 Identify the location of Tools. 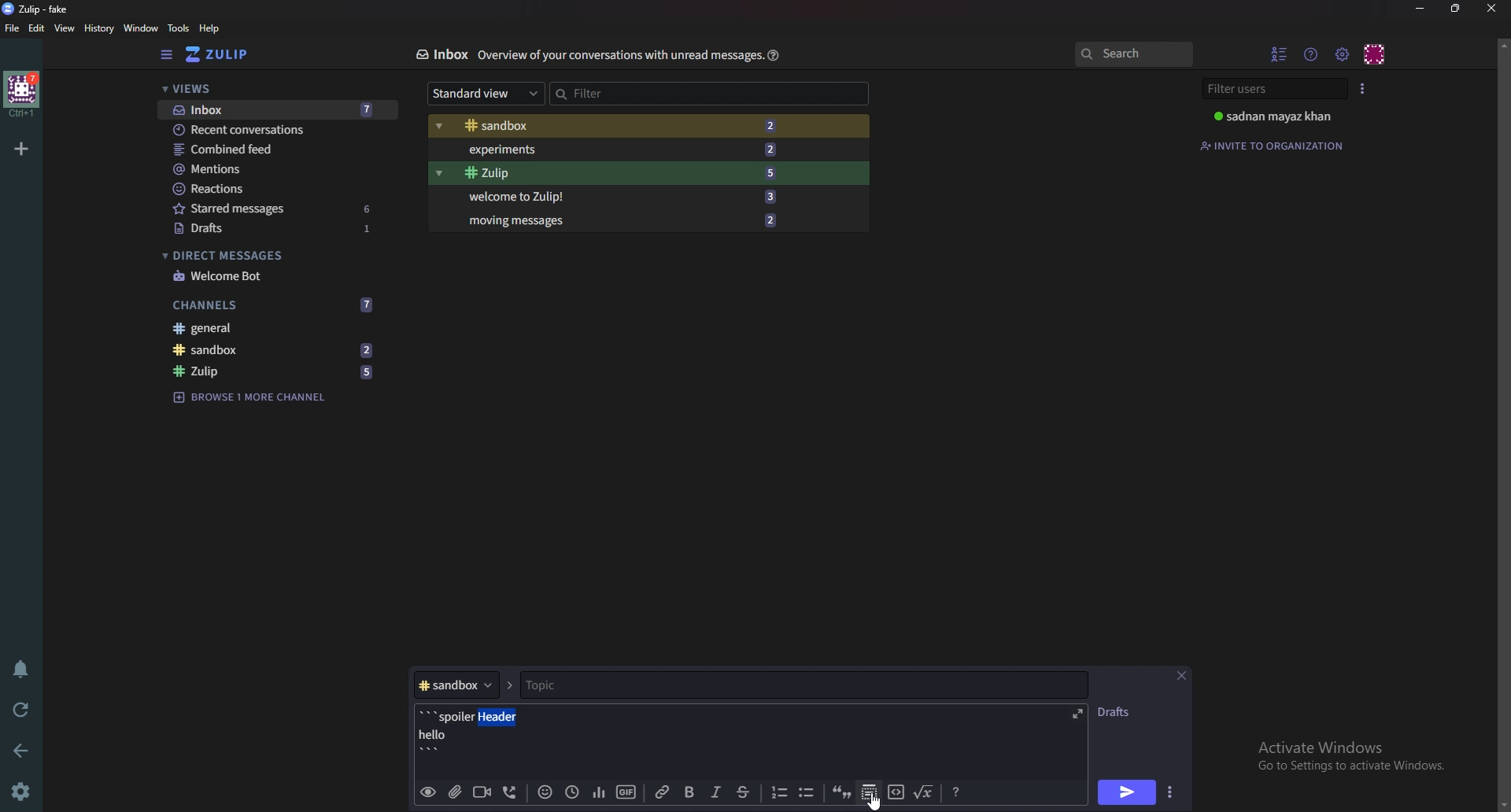
(179, 28).